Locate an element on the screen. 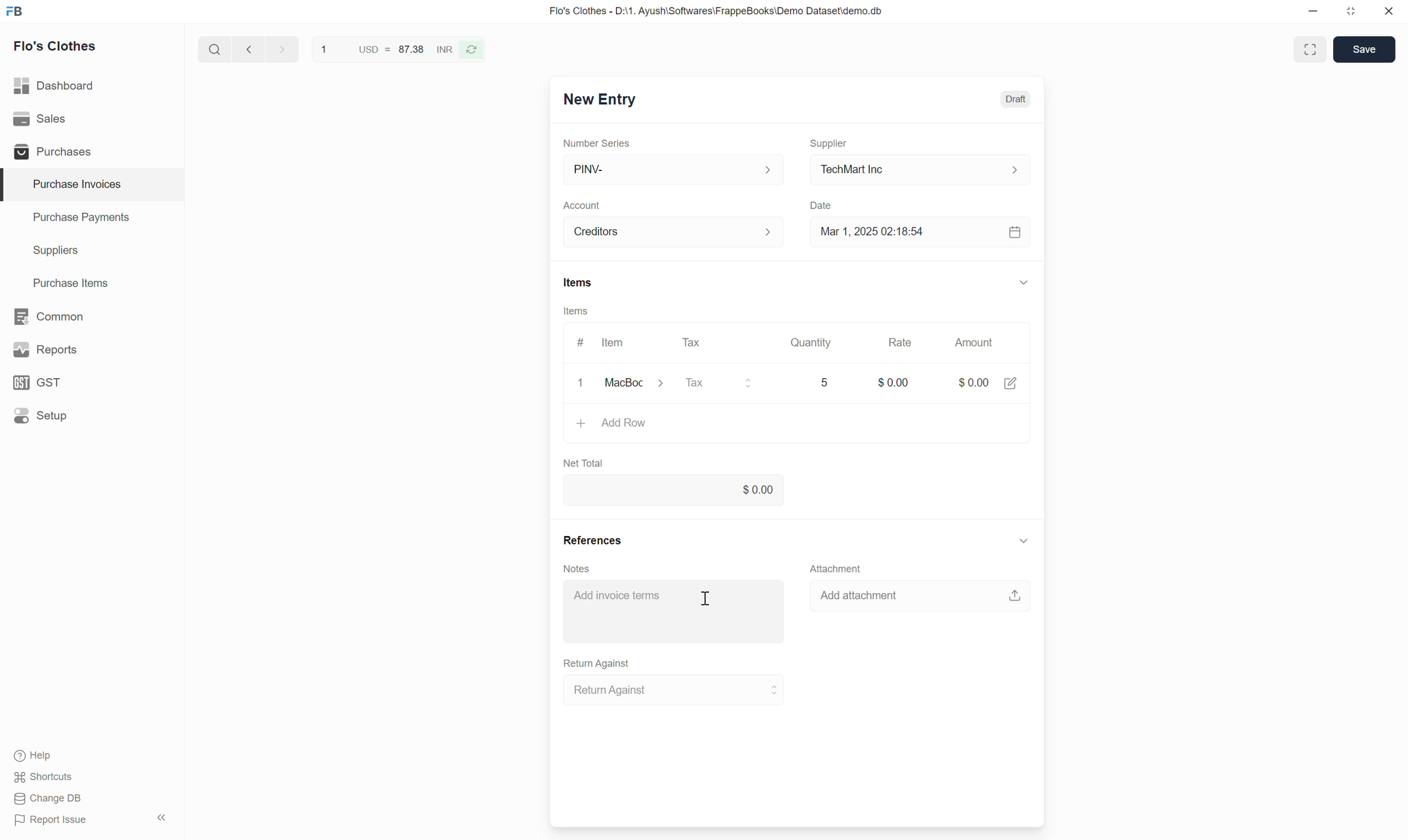 The height and width of the screenshot is (840, 1408). Search is located at coordinates (215, 49).